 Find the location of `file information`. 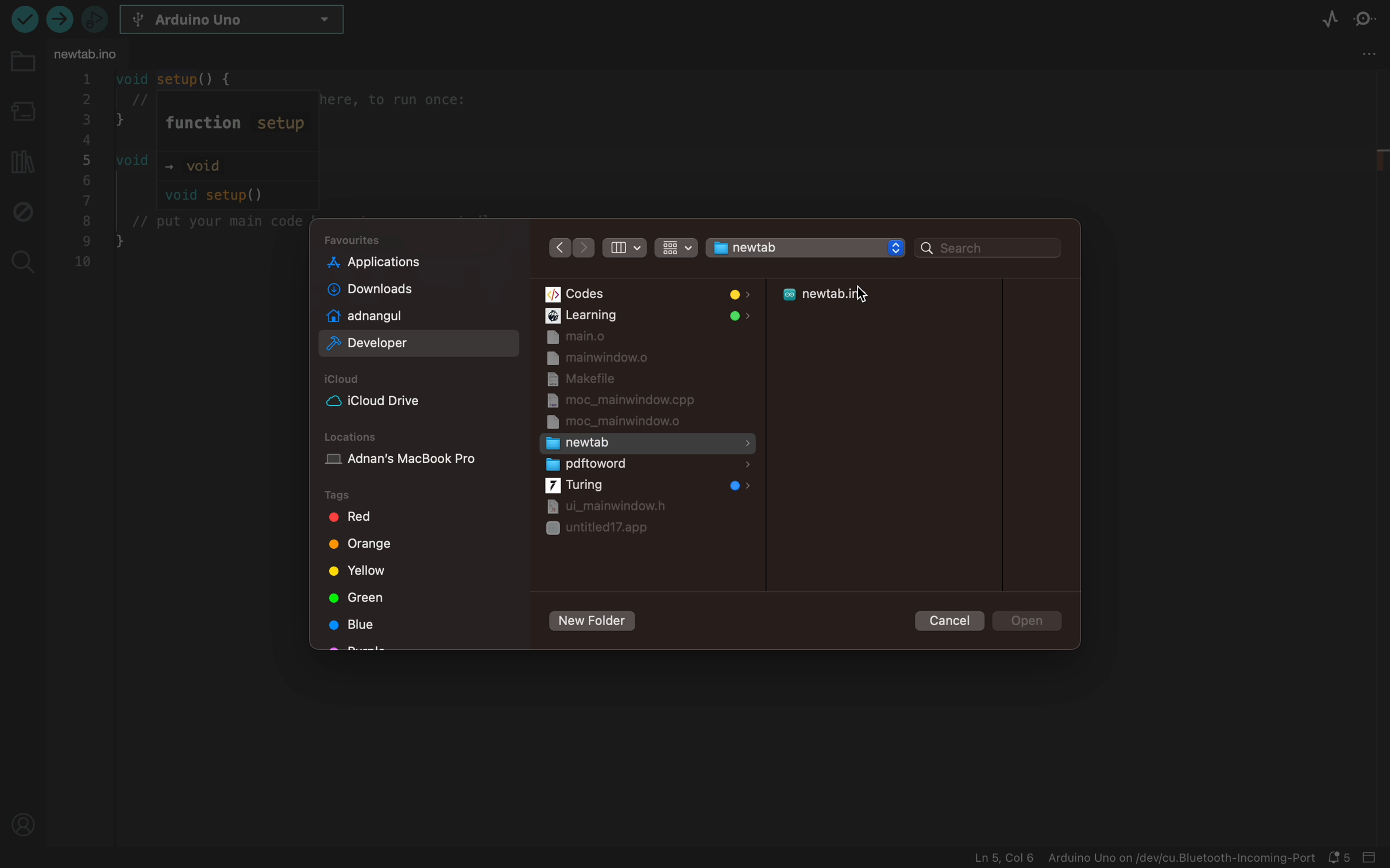

file information is located at coordinates (1144, 858).